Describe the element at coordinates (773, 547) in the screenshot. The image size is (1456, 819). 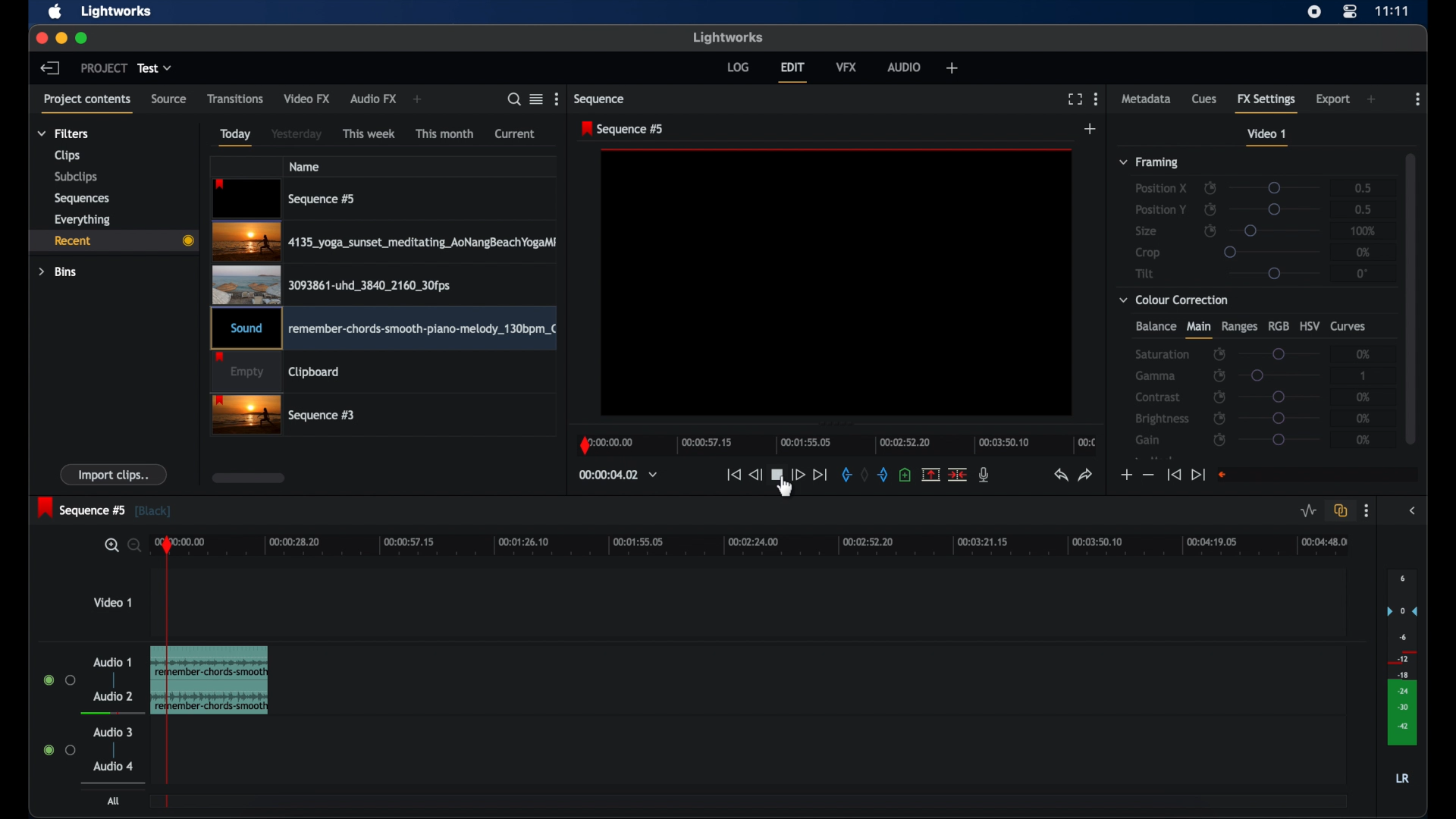
I see `timeline scale` at that location.